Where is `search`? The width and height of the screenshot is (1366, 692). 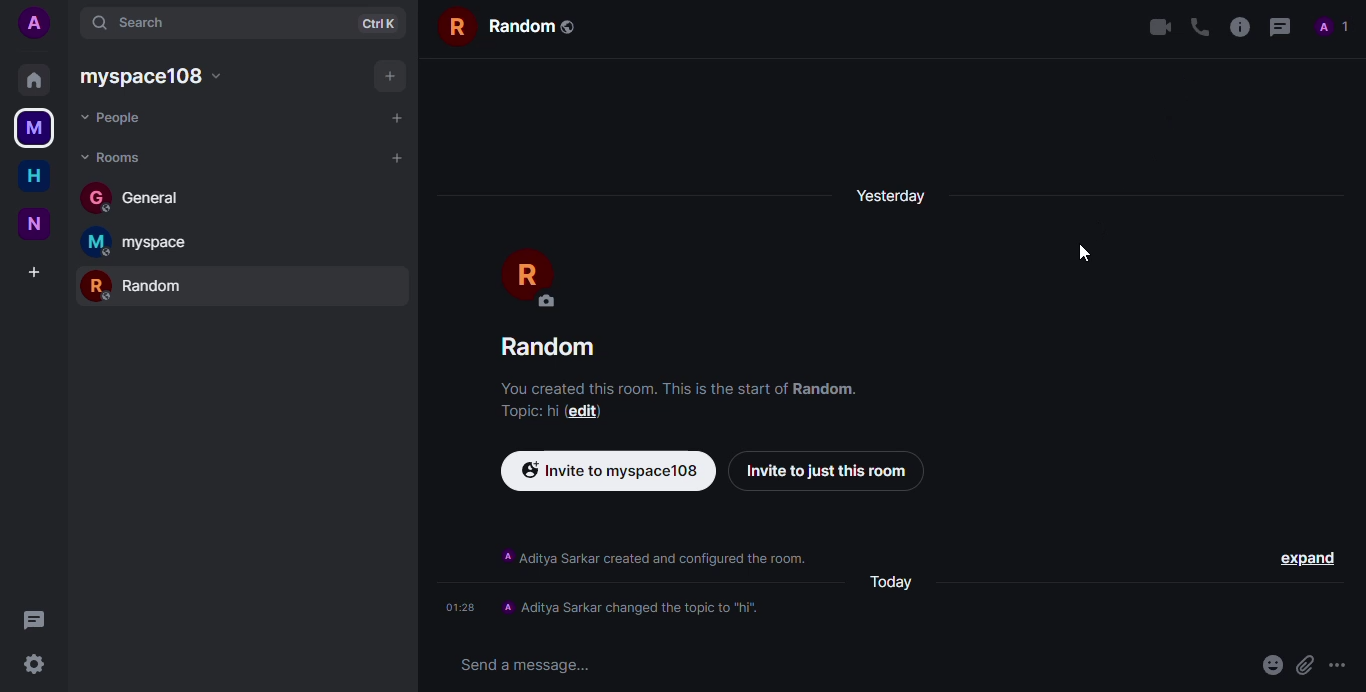
search is located at coordinates (139, 22).